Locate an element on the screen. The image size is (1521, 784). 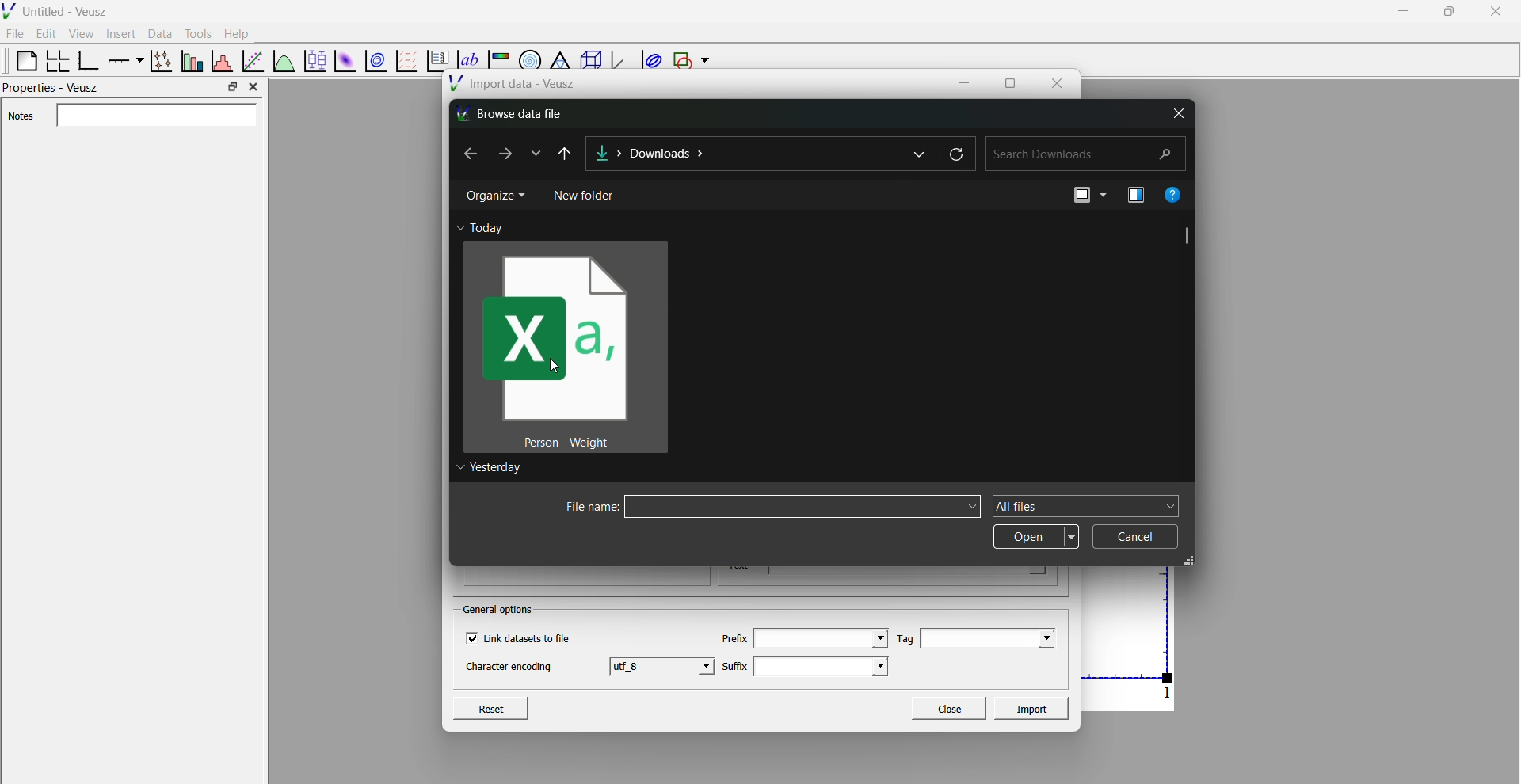
Close is located at coordinates (948, 708).